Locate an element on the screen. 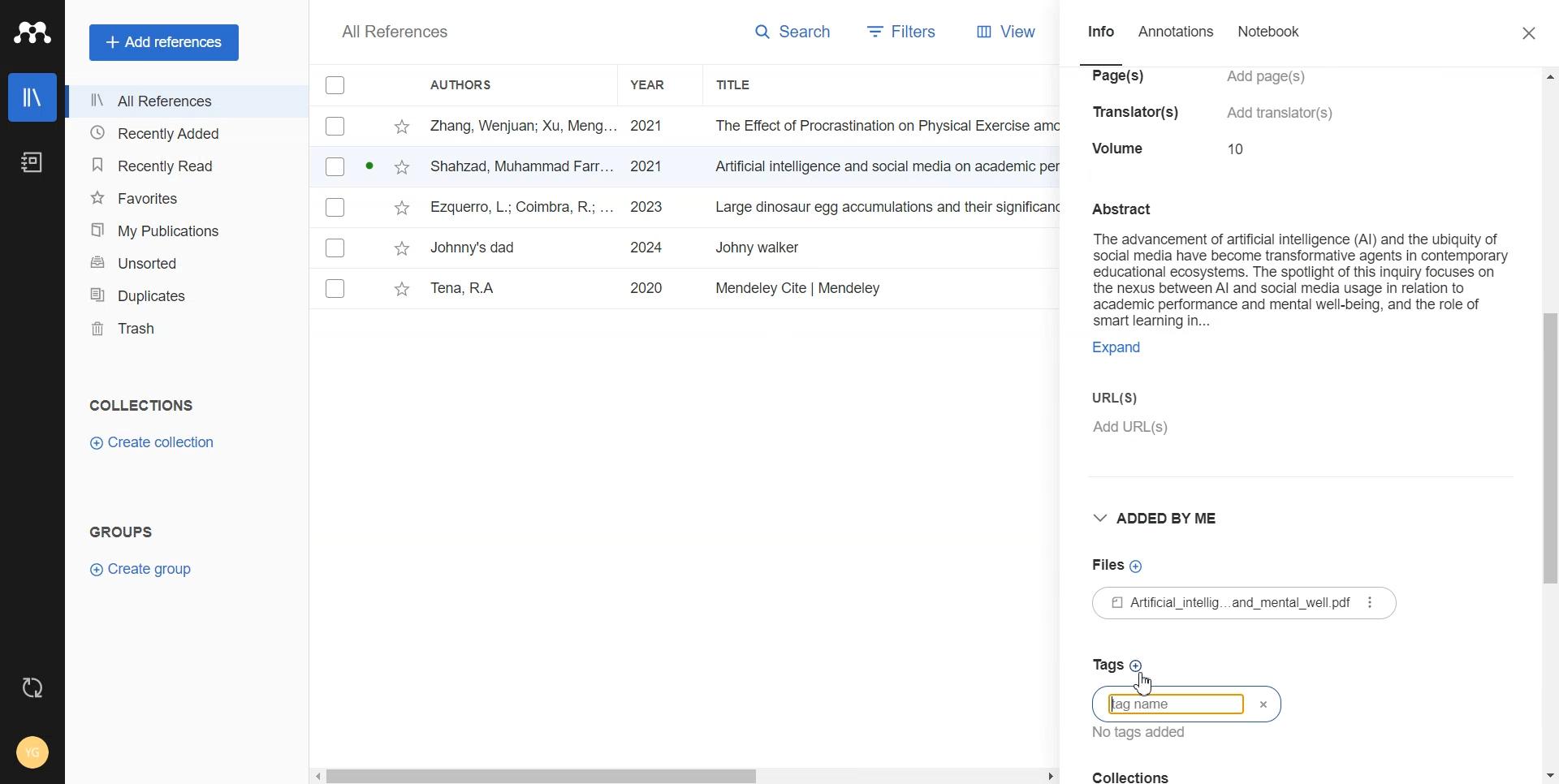 This screenshot has width=1559, height=784. Notebook is located at coordinates (32, 162).